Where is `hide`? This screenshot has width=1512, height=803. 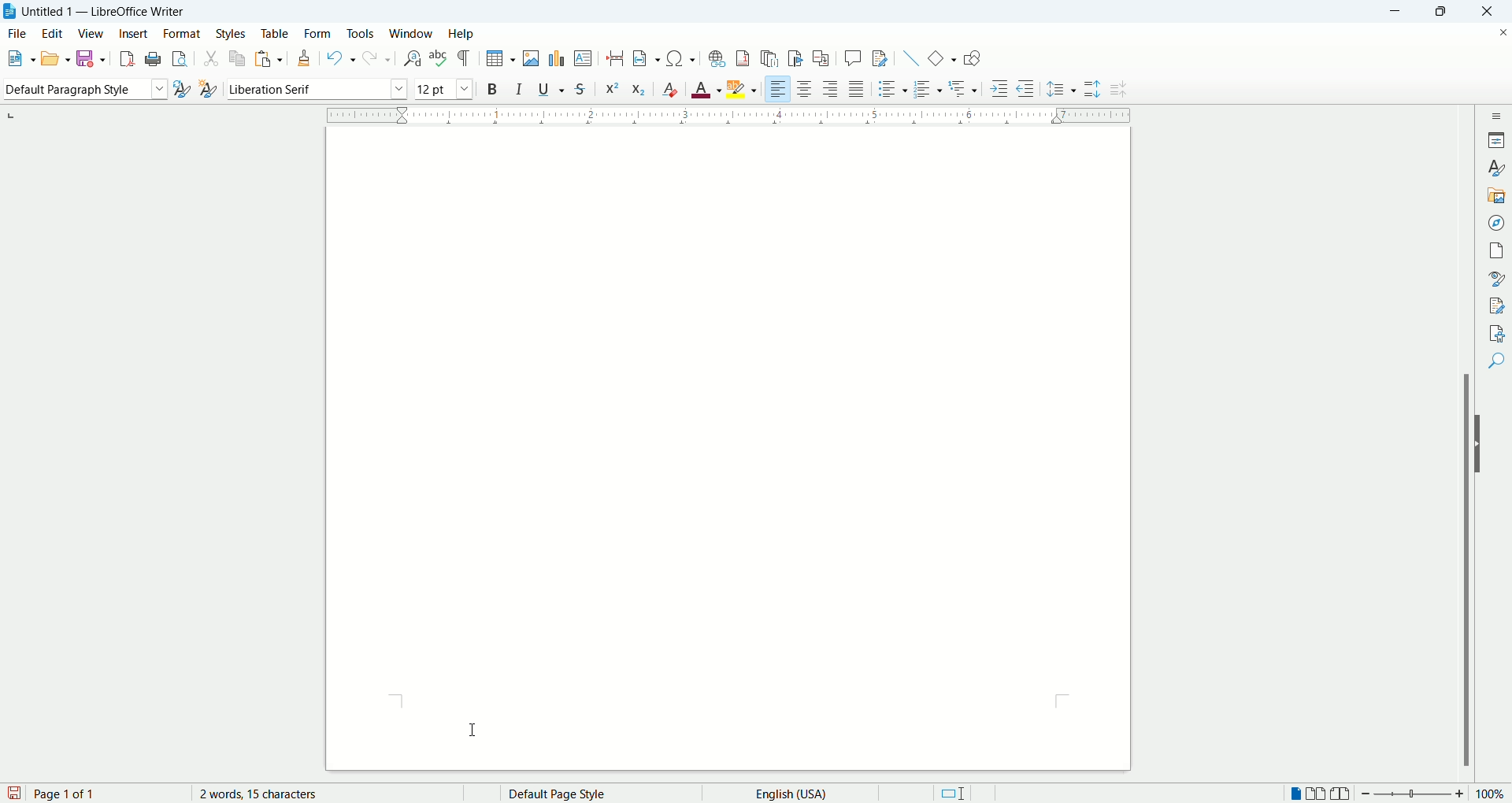
hide is located at coordinates (1482, 444).